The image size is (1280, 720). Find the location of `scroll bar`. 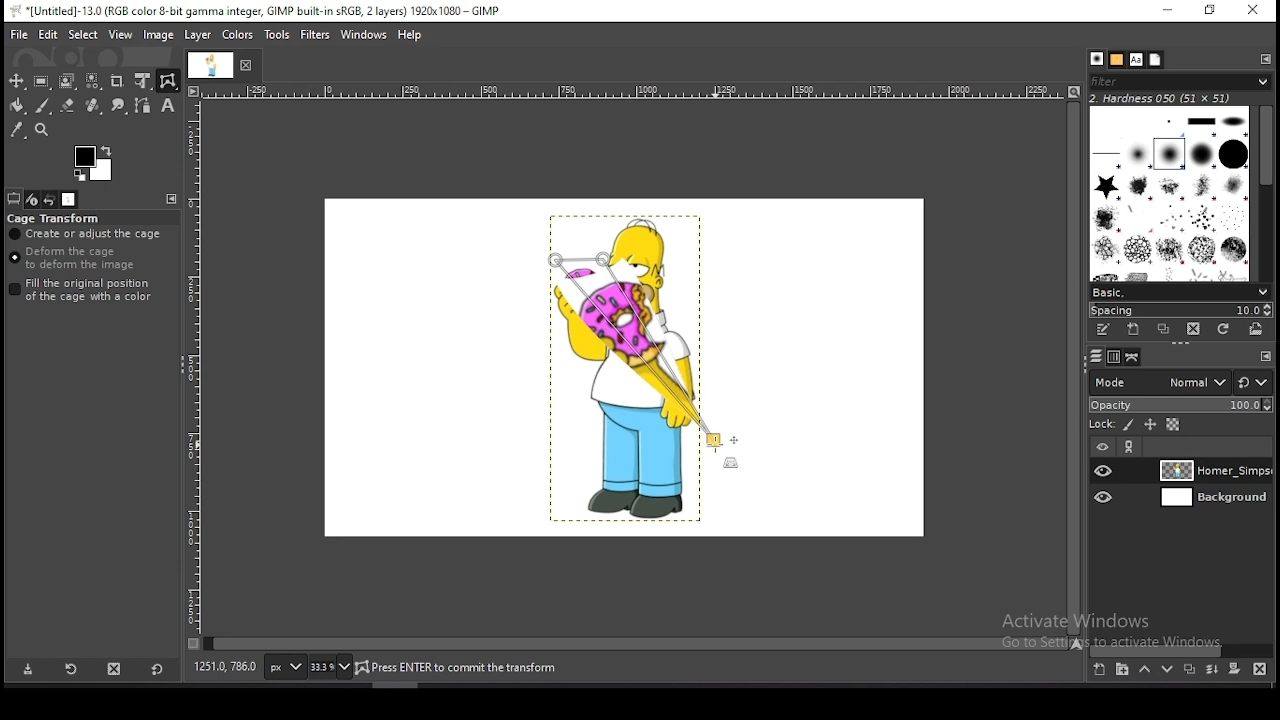

scroll bar is located at coordinates (1182, 649).